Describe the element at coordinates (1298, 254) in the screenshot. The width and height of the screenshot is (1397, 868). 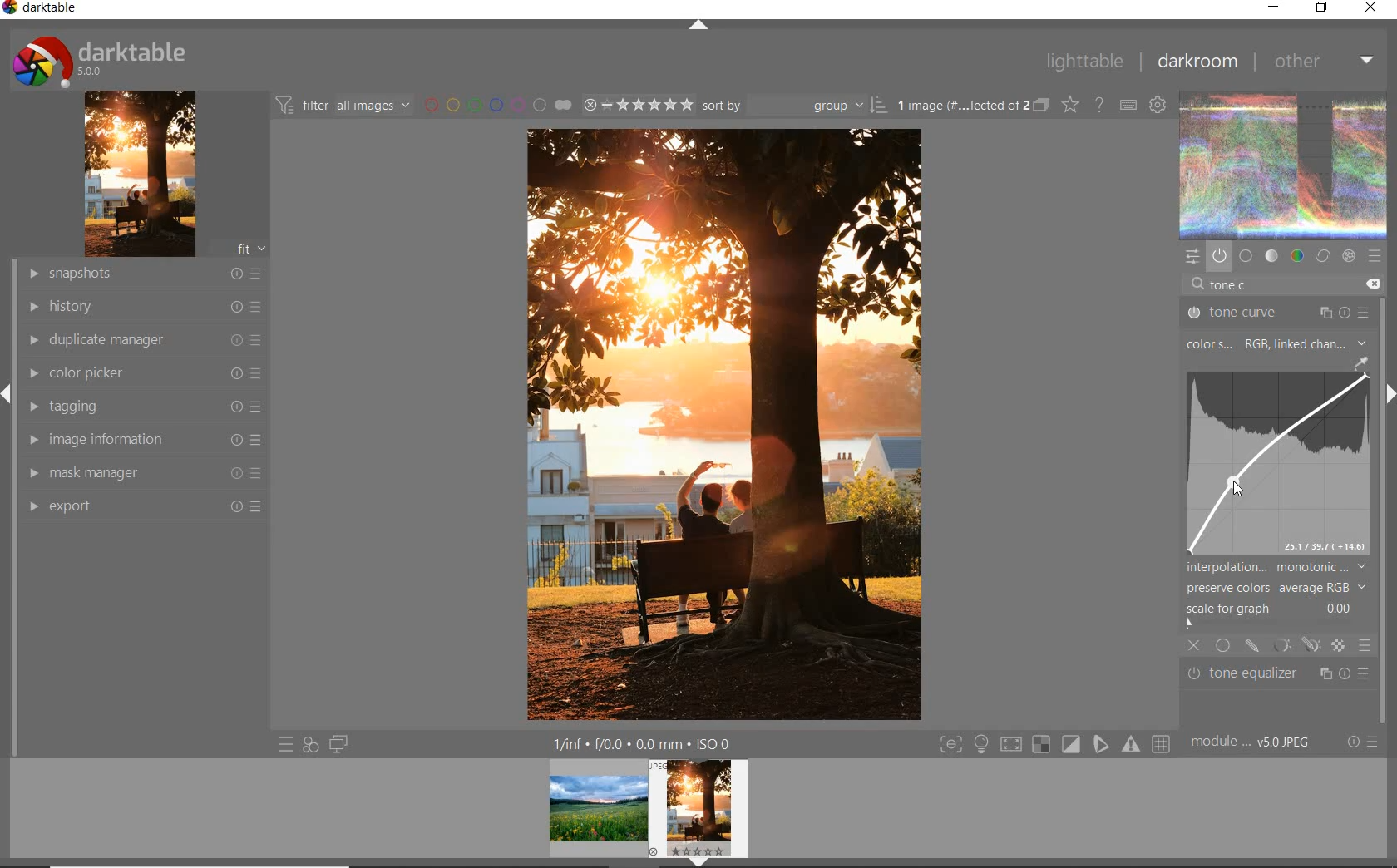
I see `color` at that location.